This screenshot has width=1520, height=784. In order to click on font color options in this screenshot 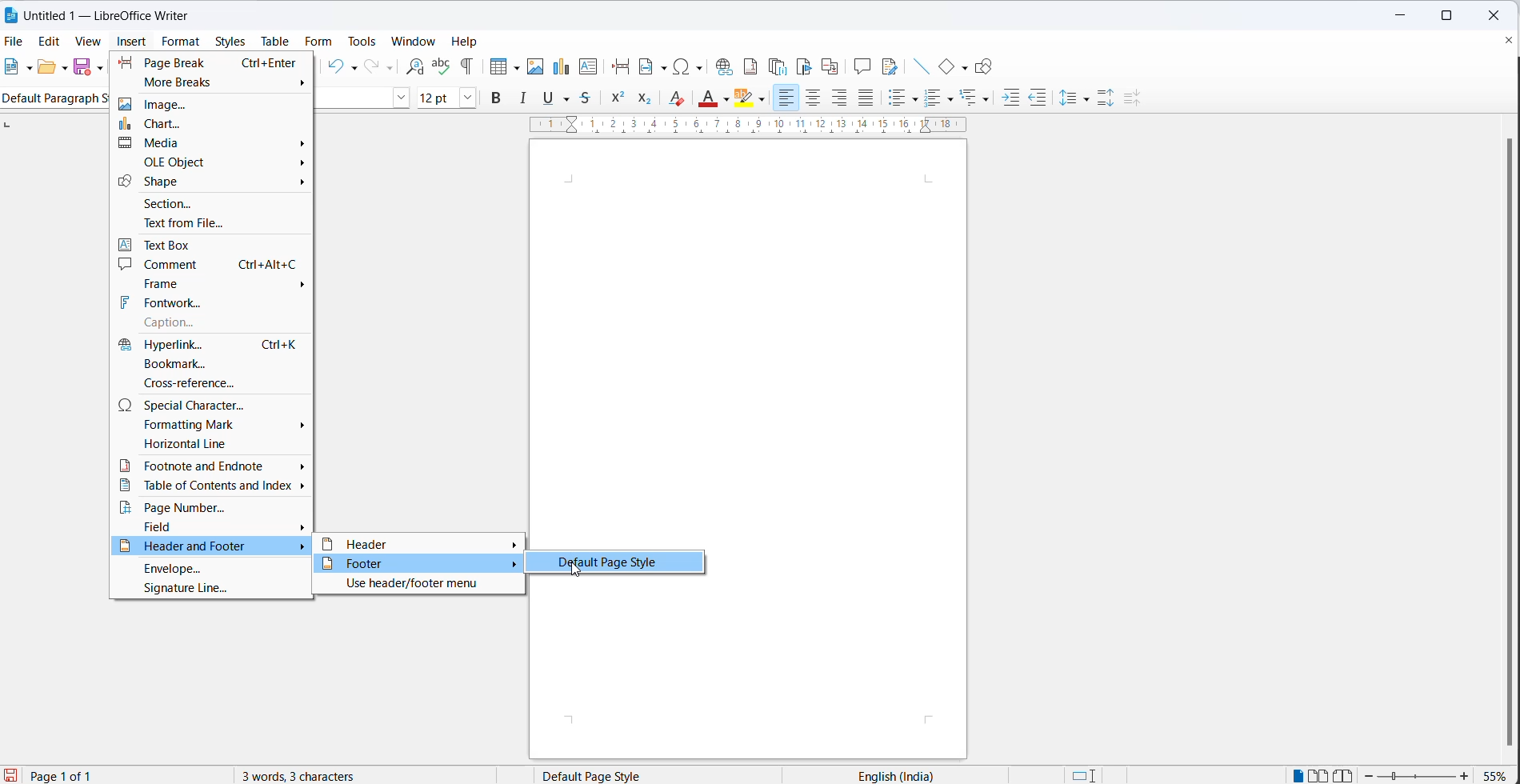, I will do `click(726, 98)`.